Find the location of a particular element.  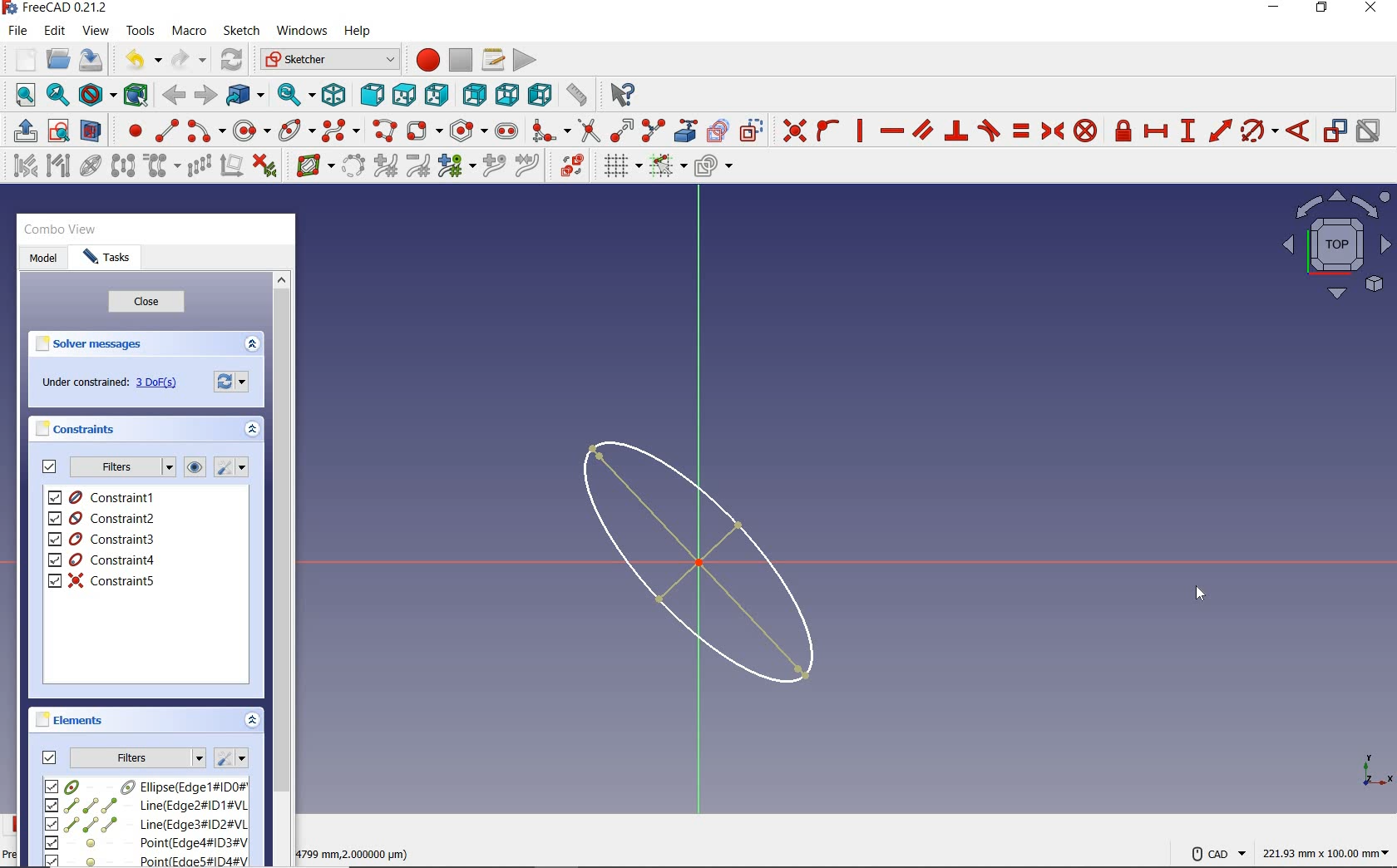

constrain horizontal distance is located at coordinates (1155, 130).